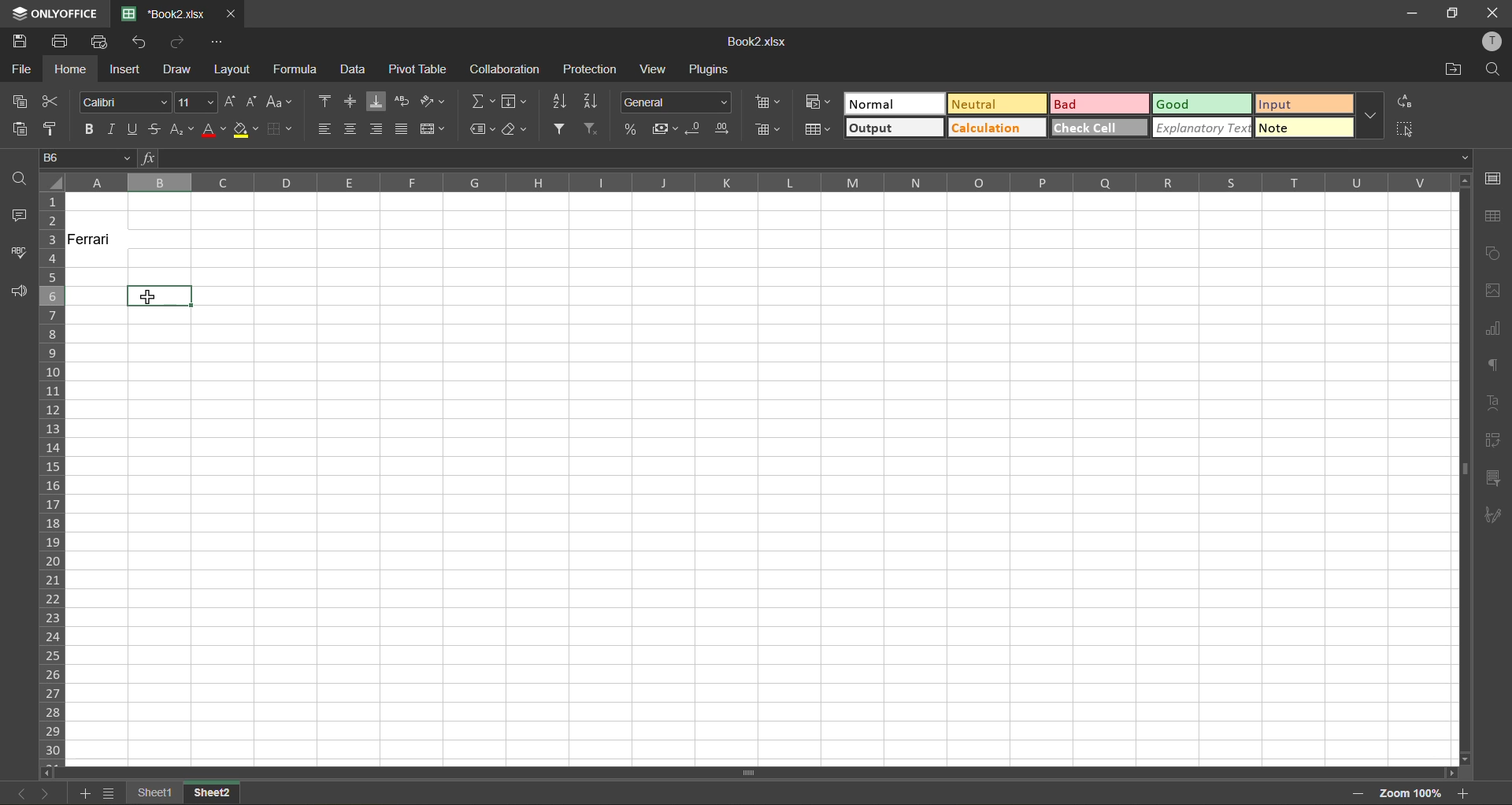 The width and height of the screenshot is (1512, 805). Describe the element at coordinates (50, 773) in the screenshot. I see `scroll left` at that location.